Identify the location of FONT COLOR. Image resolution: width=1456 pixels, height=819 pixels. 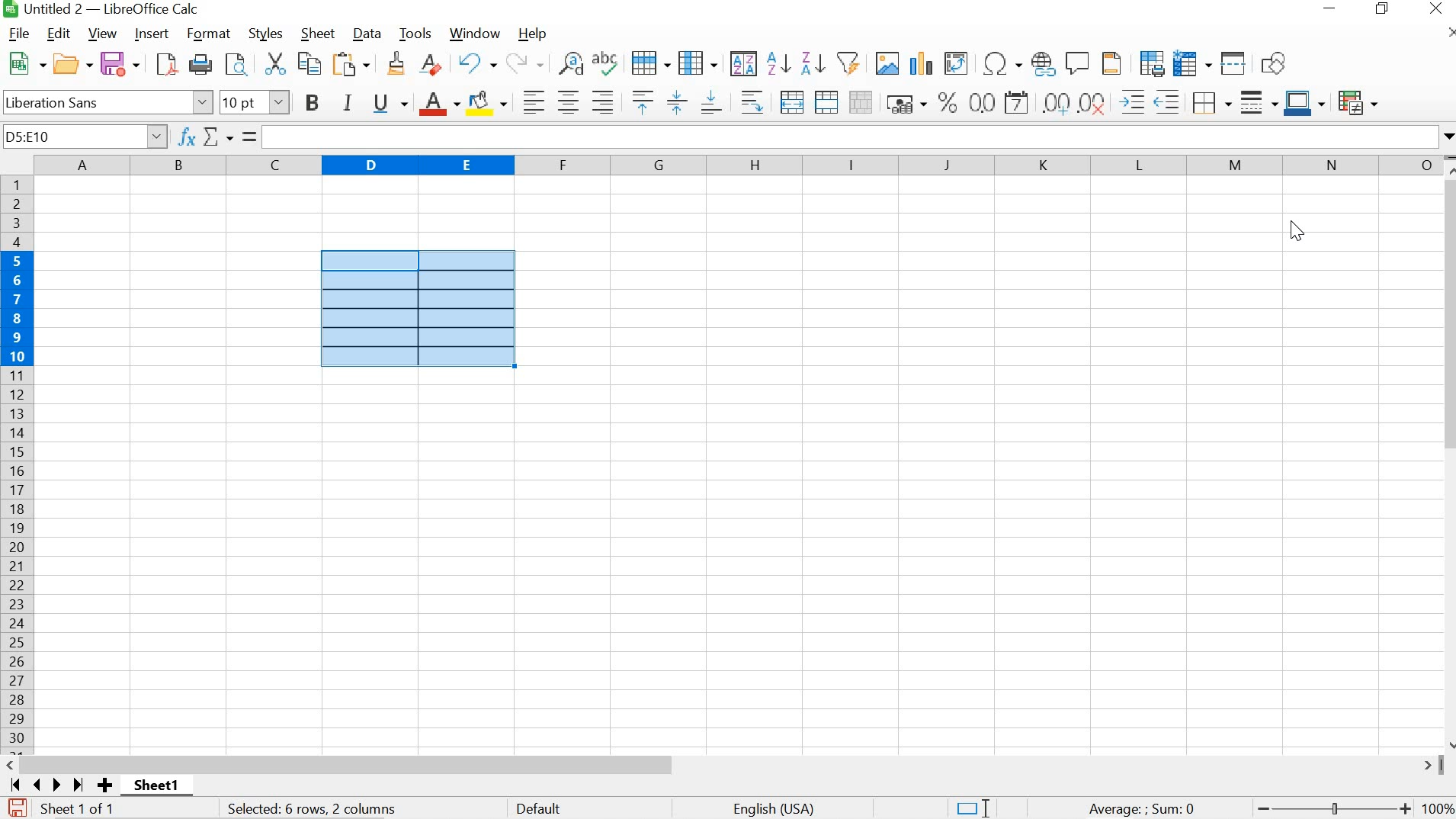
(438, 104).